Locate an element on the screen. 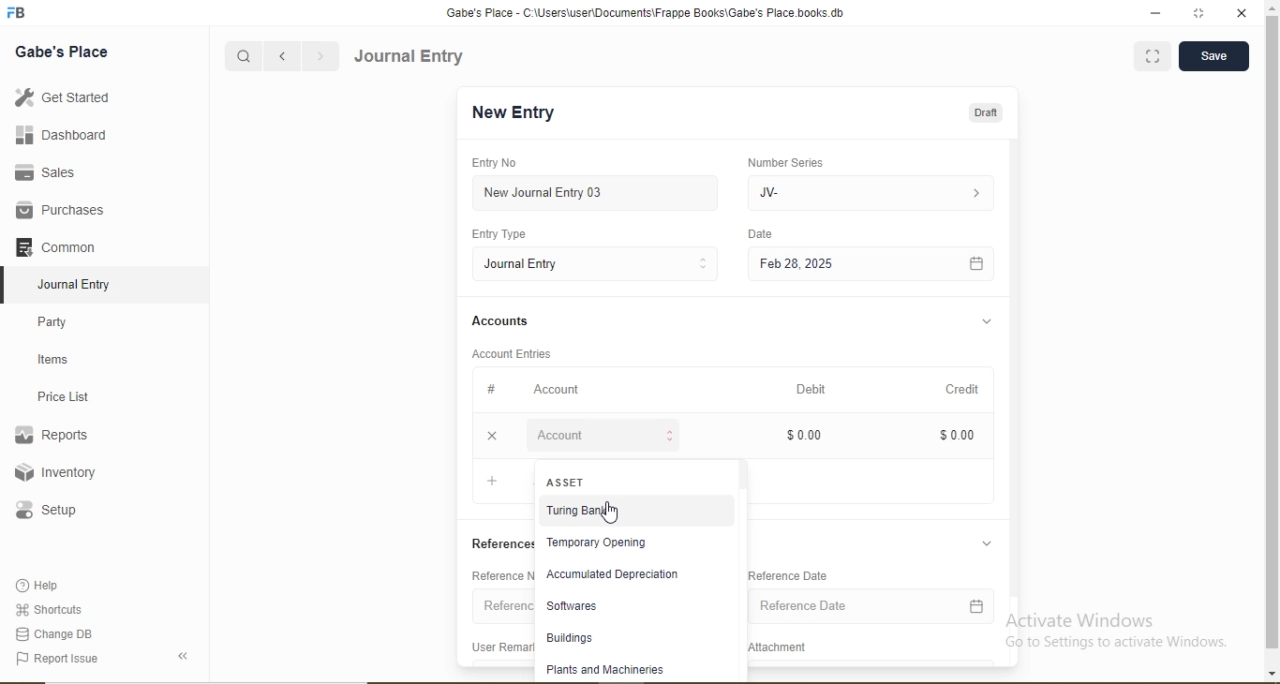 Image resolution: width=1280 pixels, height=684 pixels. Scroll bar is located at coordinates (1015, 373).